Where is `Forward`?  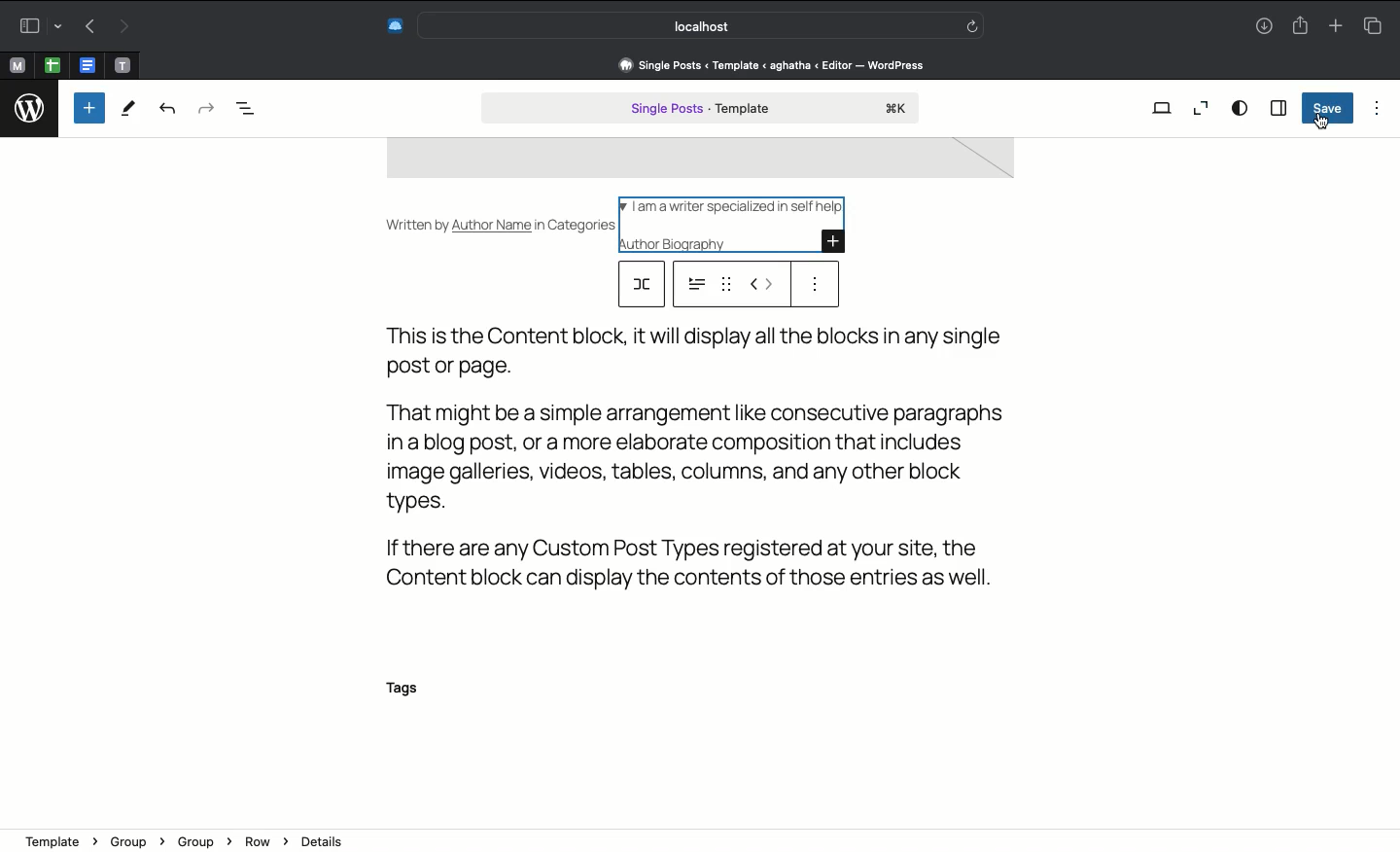
Forward is located at coordinates (125, 27).